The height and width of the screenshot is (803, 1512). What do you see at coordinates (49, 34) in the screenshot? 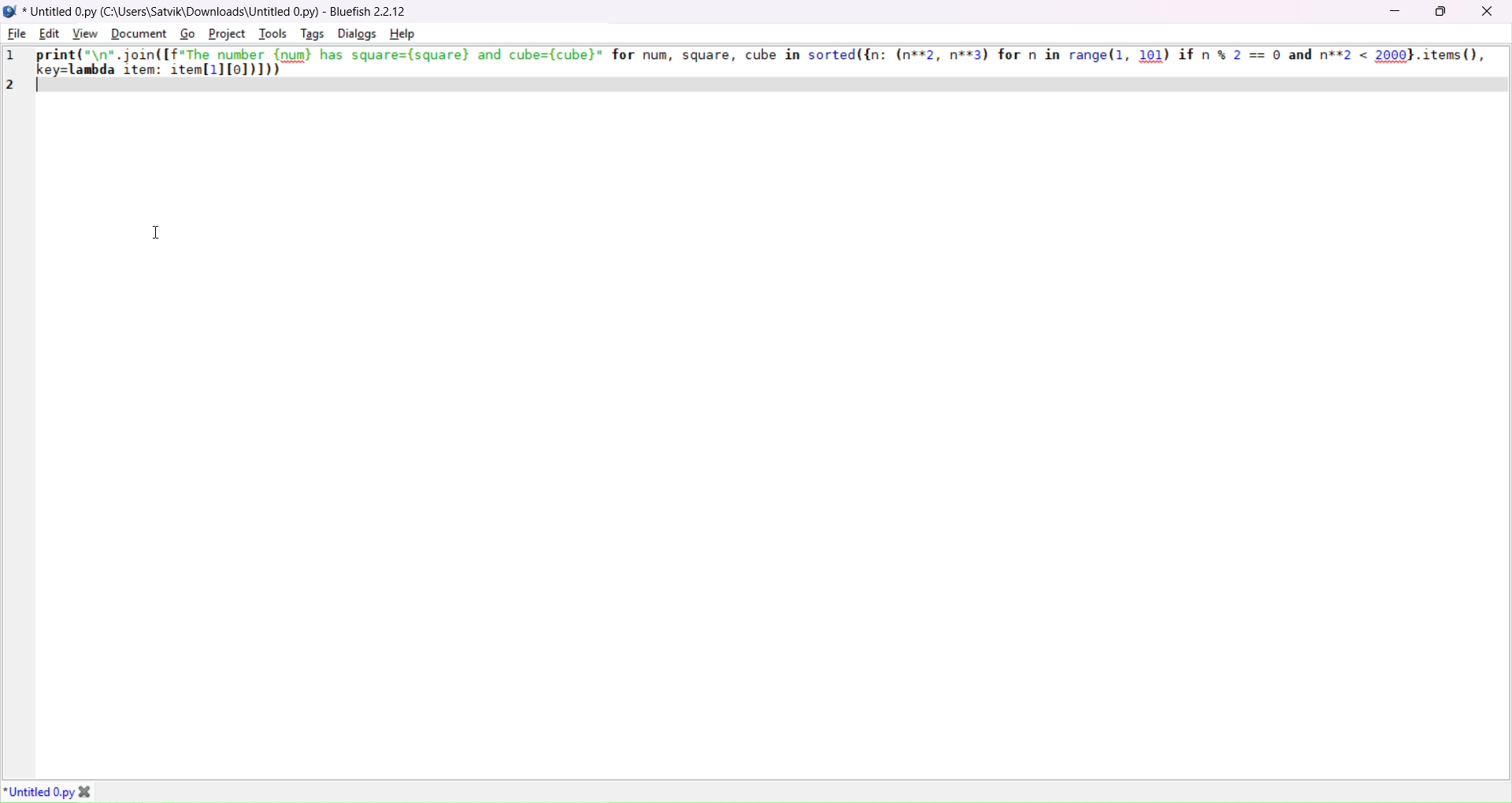
I see `edit` at bounding box center [49, 34].